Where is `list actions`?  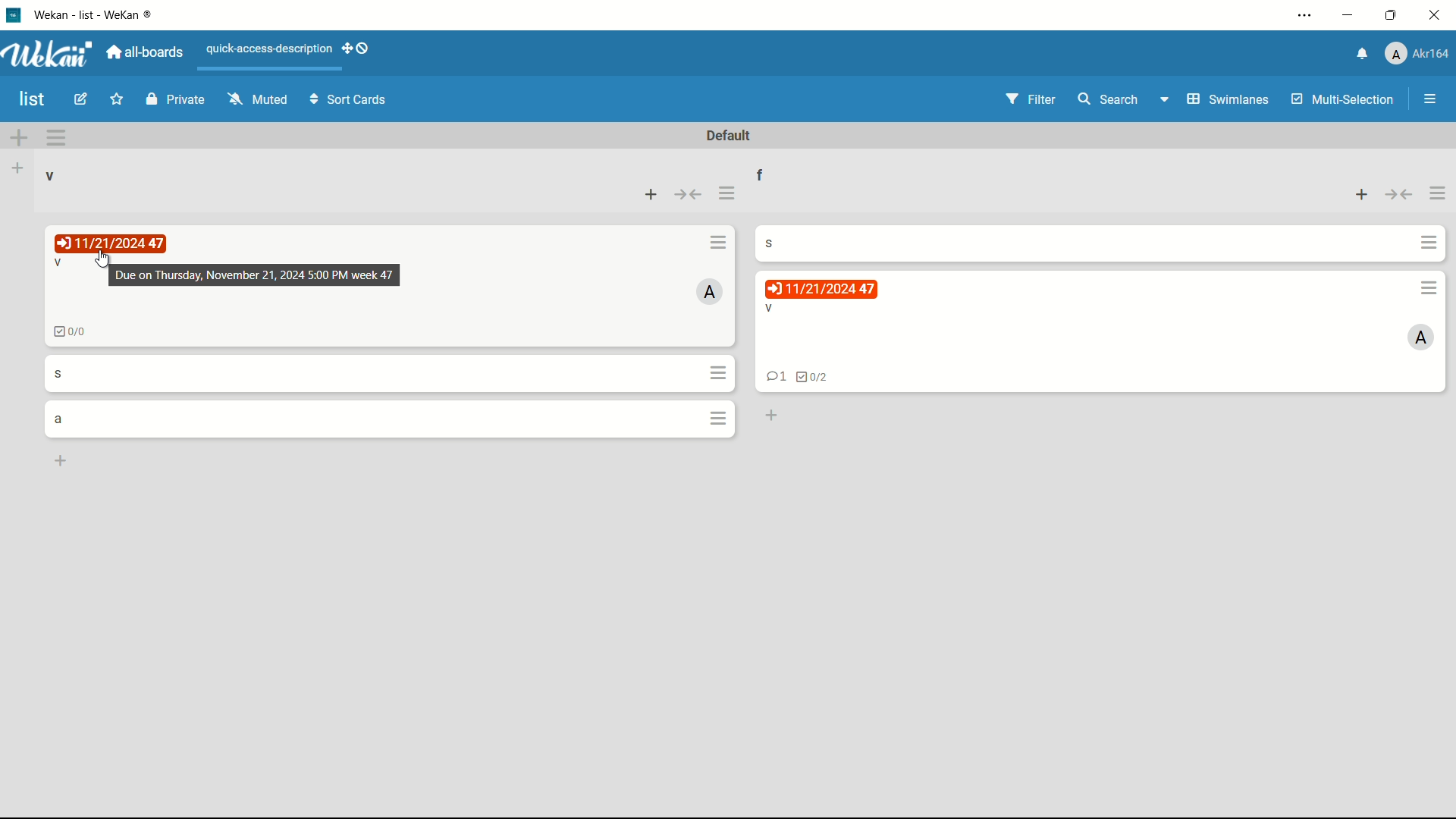 list actions is located at coordinates (727, 194).